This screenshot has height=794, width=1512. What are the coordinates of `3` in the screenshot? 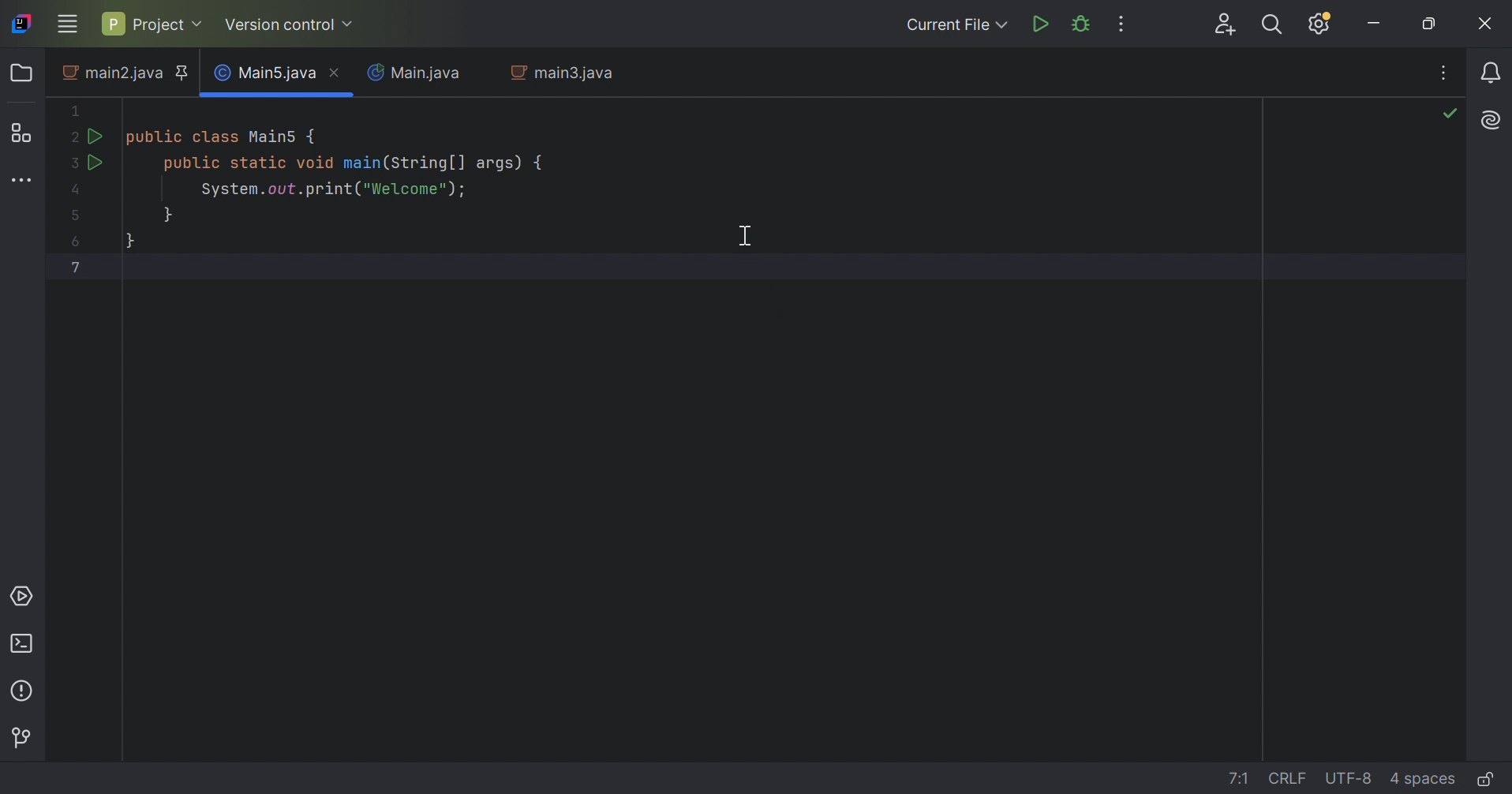 It's located at (83, 167).